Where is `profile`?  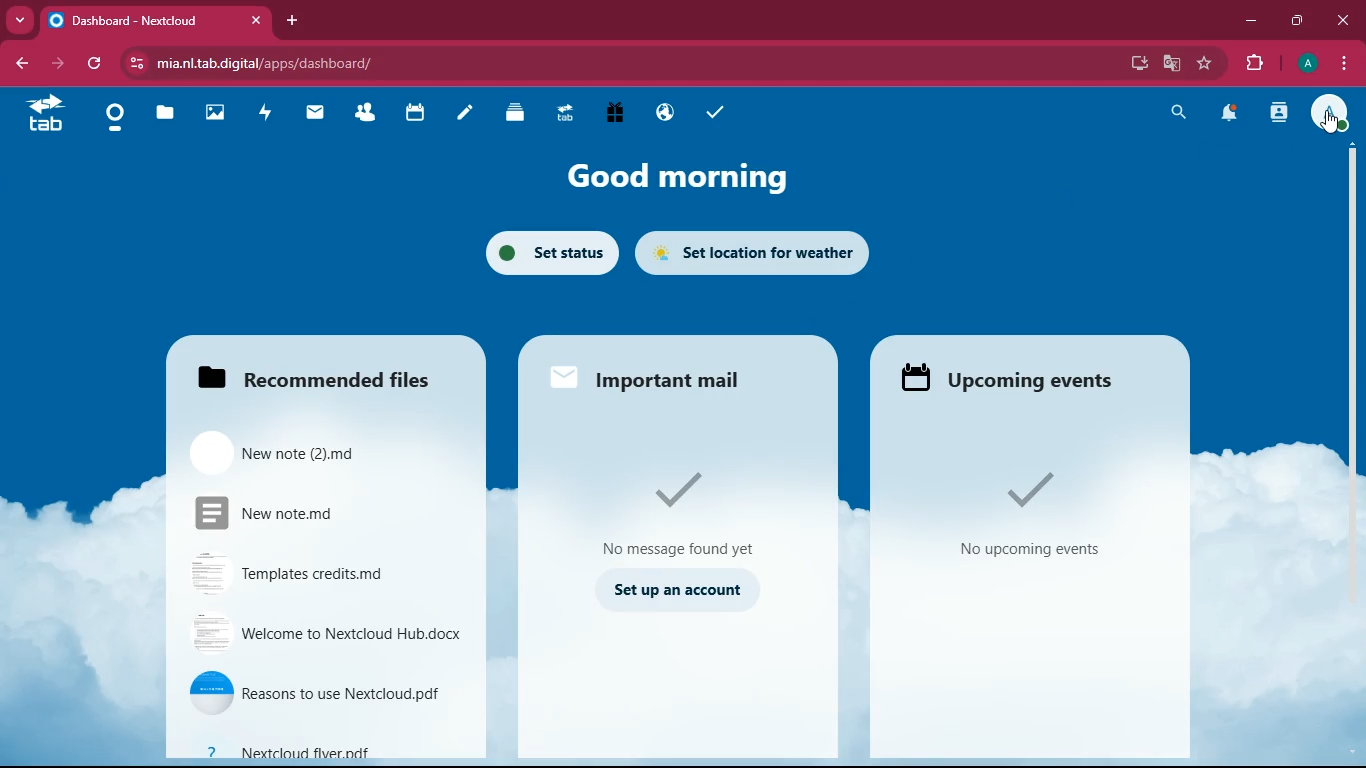 profile is located at coordinates (1303, 63).